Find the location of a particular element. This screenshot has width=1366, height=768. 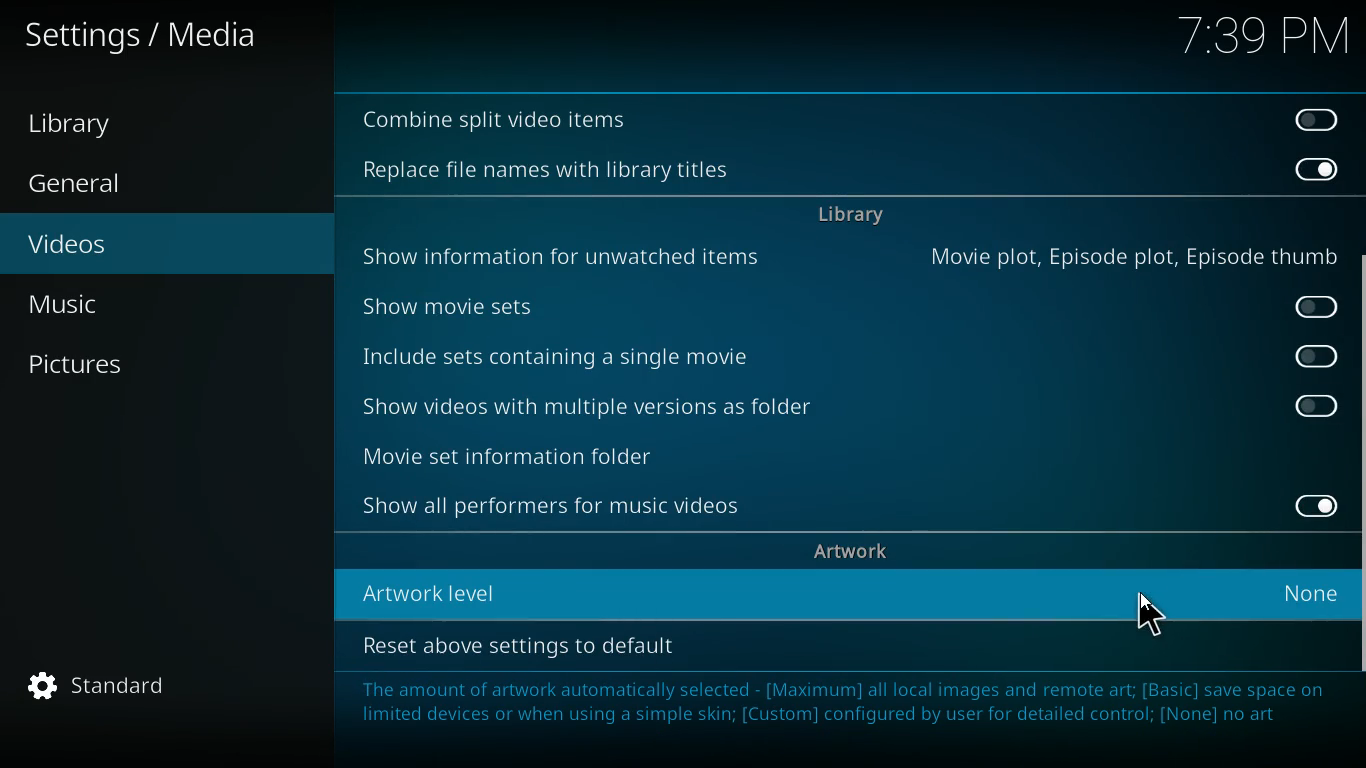

off is located at coordinates (1317, 406).